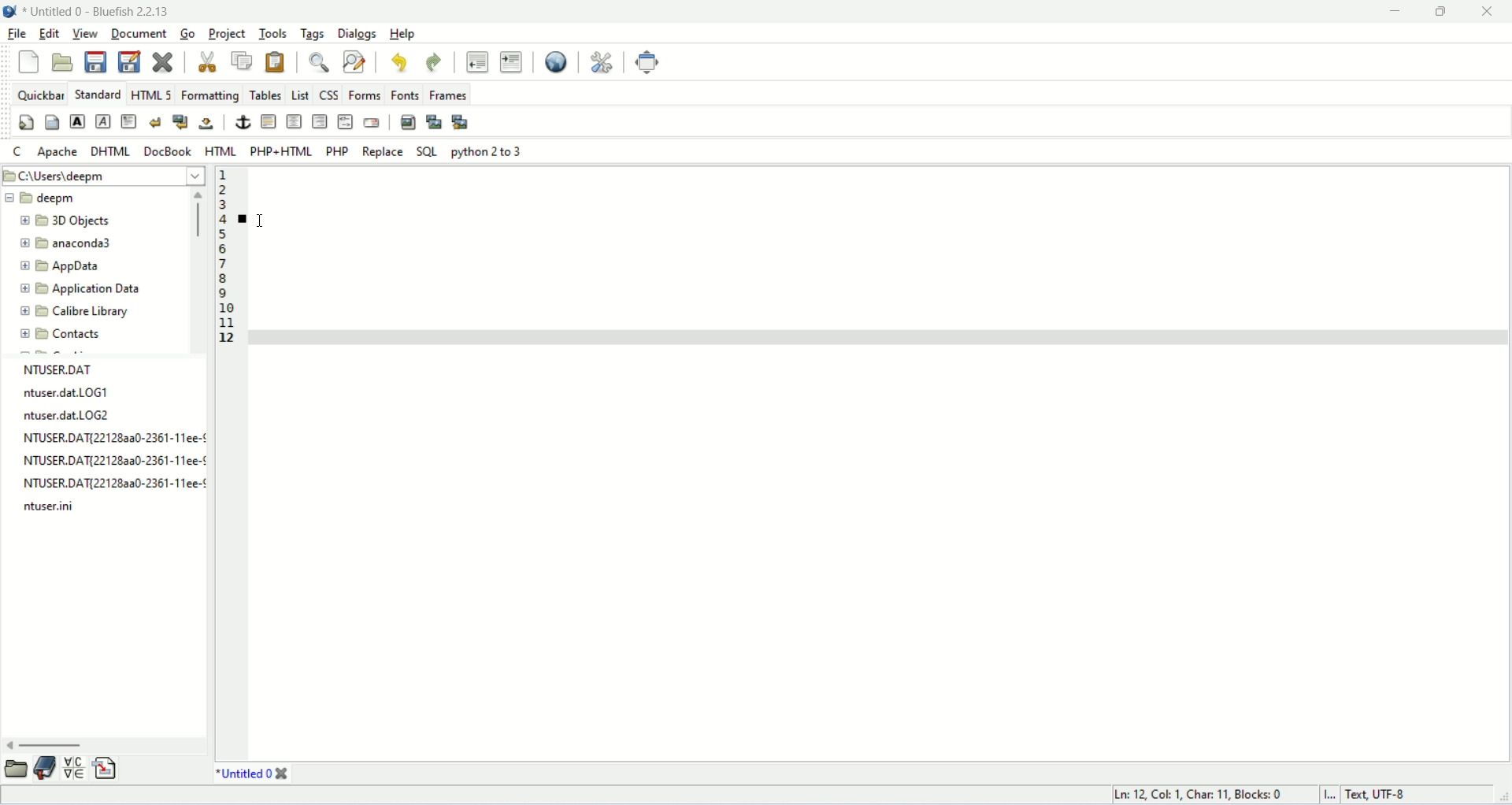 Image resolution: width=1512 pixels, height=805 pixels. Describe the element at coordinates (241, 61) in the screenshot. I see `copy` at that location.